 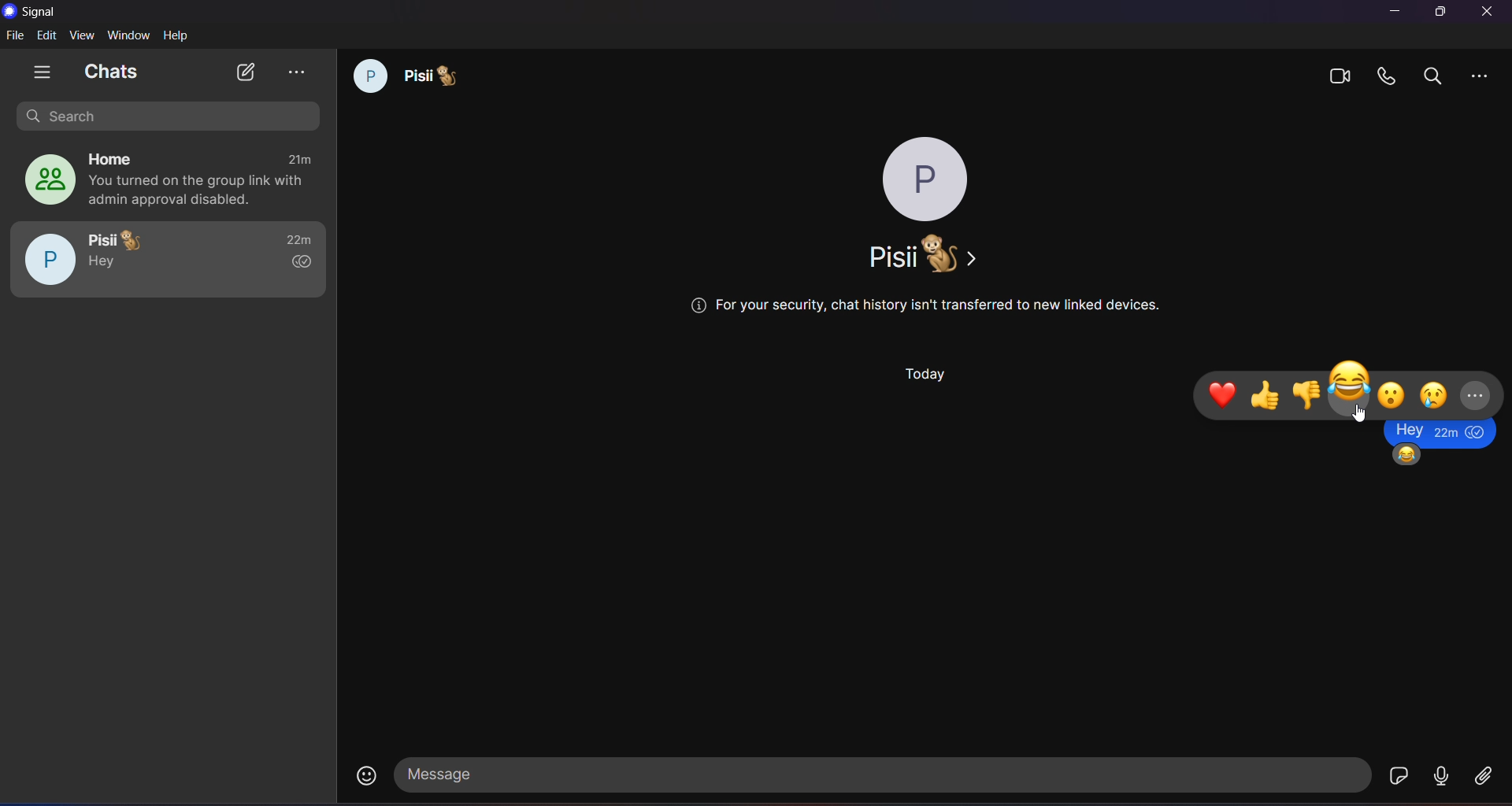 What do you see at coordinates (16, 36) in the screenshot?
I see `file` at bounding box center [16, 36].